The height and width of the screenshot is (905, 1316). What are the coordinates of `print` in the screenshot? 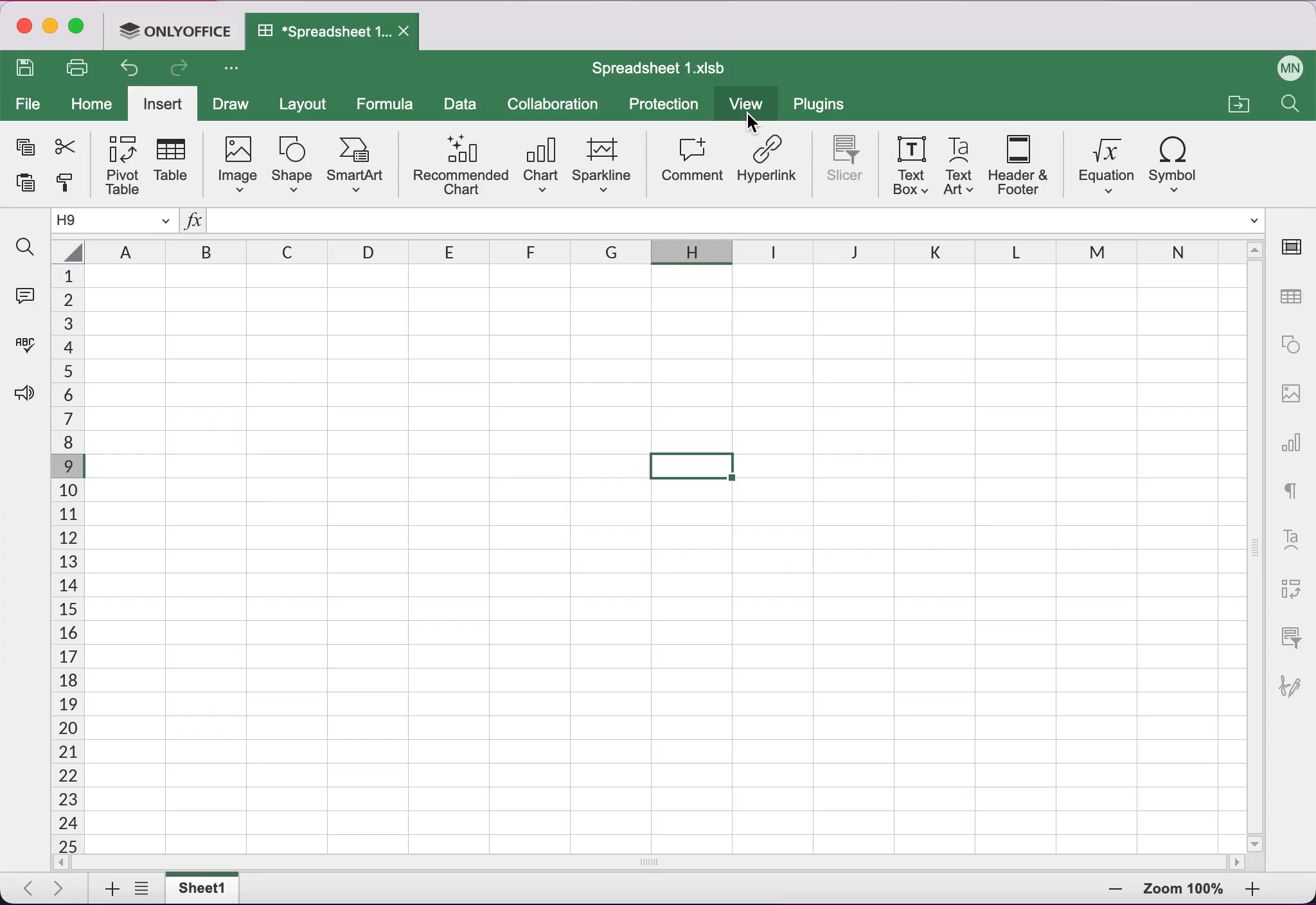 It's located at (80, 66).